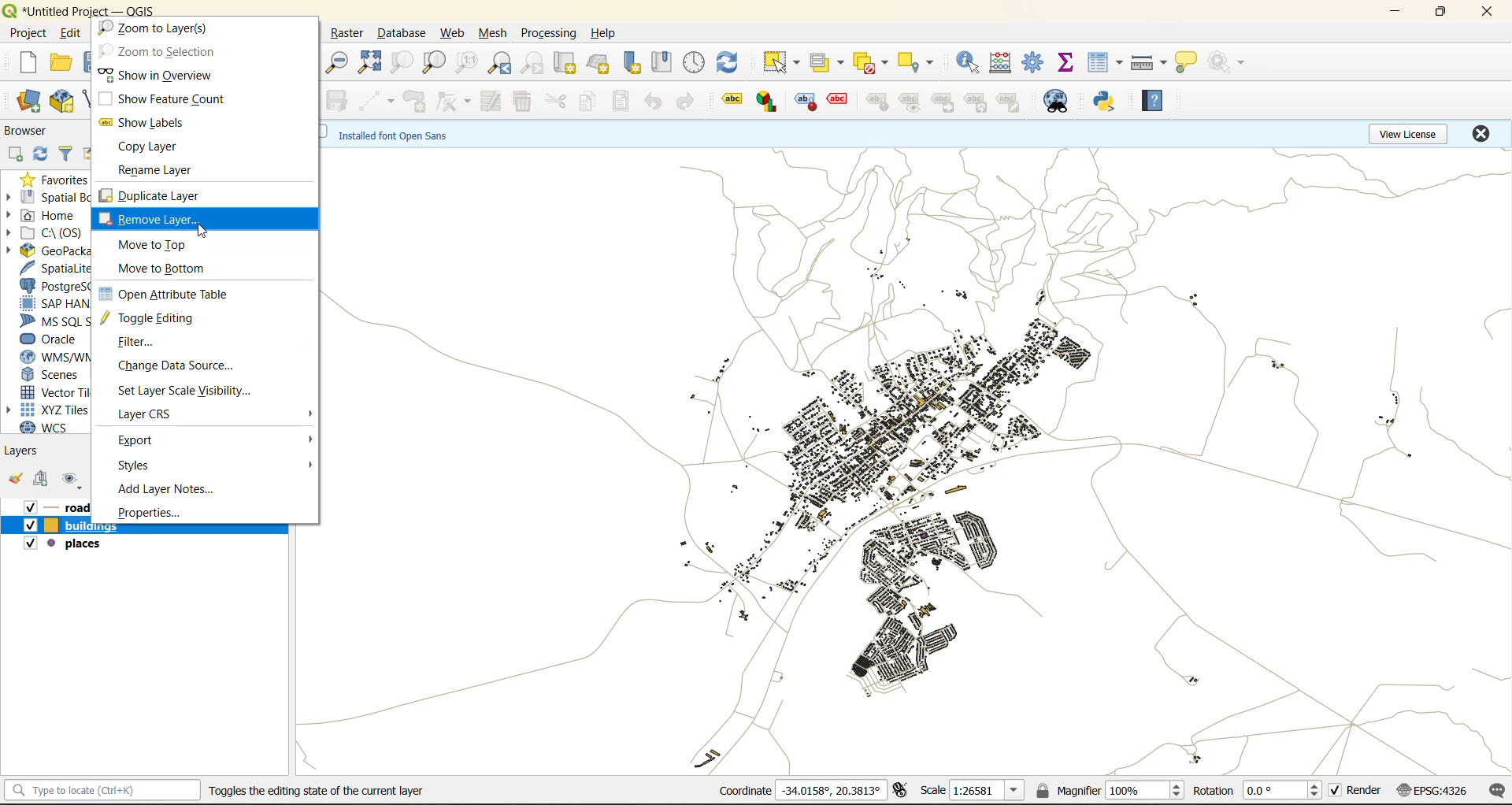 Image resolution: width=1512 pixels, height=805 pixels. Describe the element at coordinates (731, 63) in the screenshot. I see `refresh` at that location.